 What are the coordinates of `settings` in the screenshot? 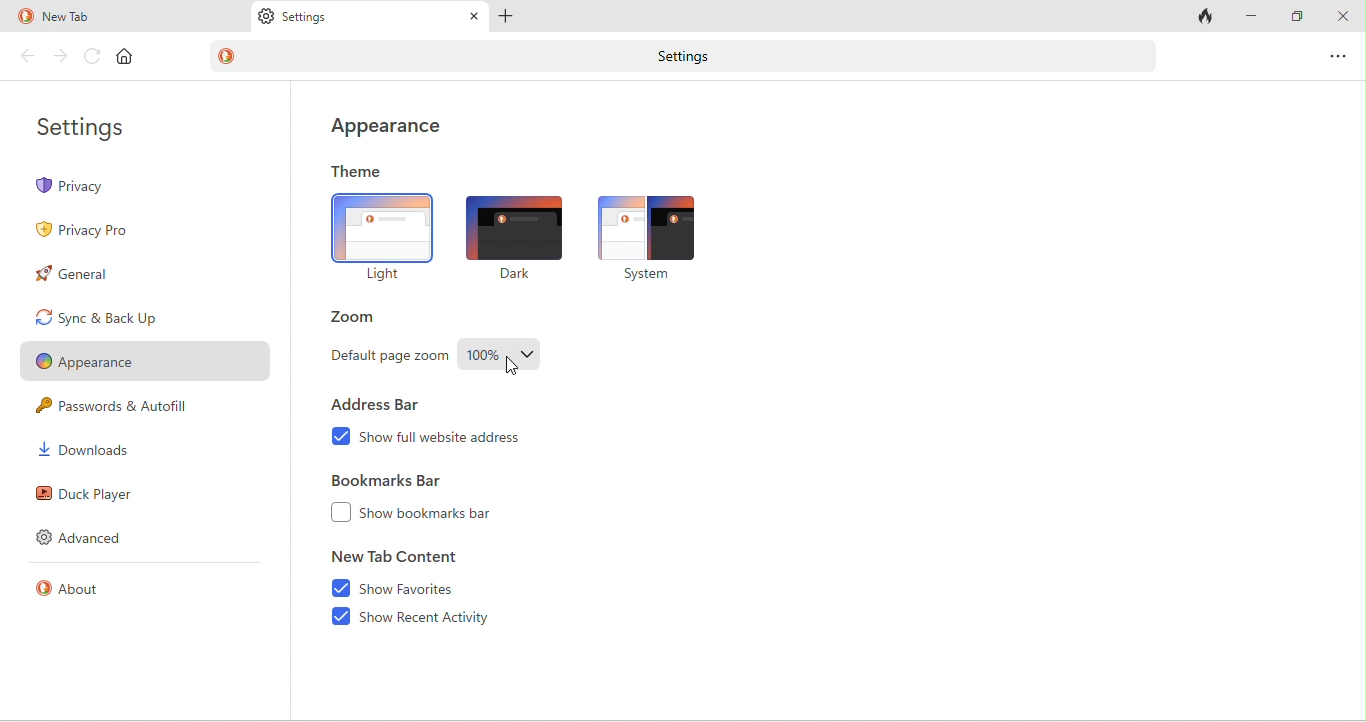 It's located at (678, 56).